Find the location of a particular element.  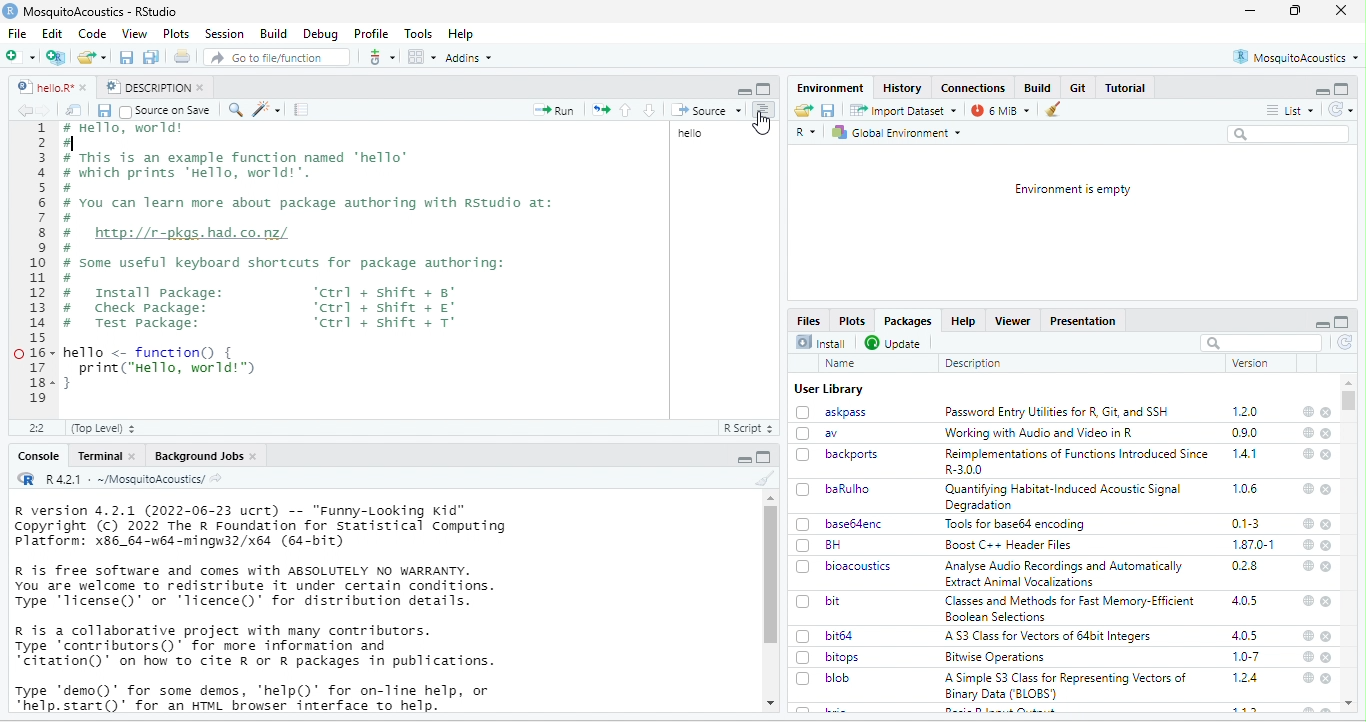

1.2.4 is located at coordinates (1247, 678).